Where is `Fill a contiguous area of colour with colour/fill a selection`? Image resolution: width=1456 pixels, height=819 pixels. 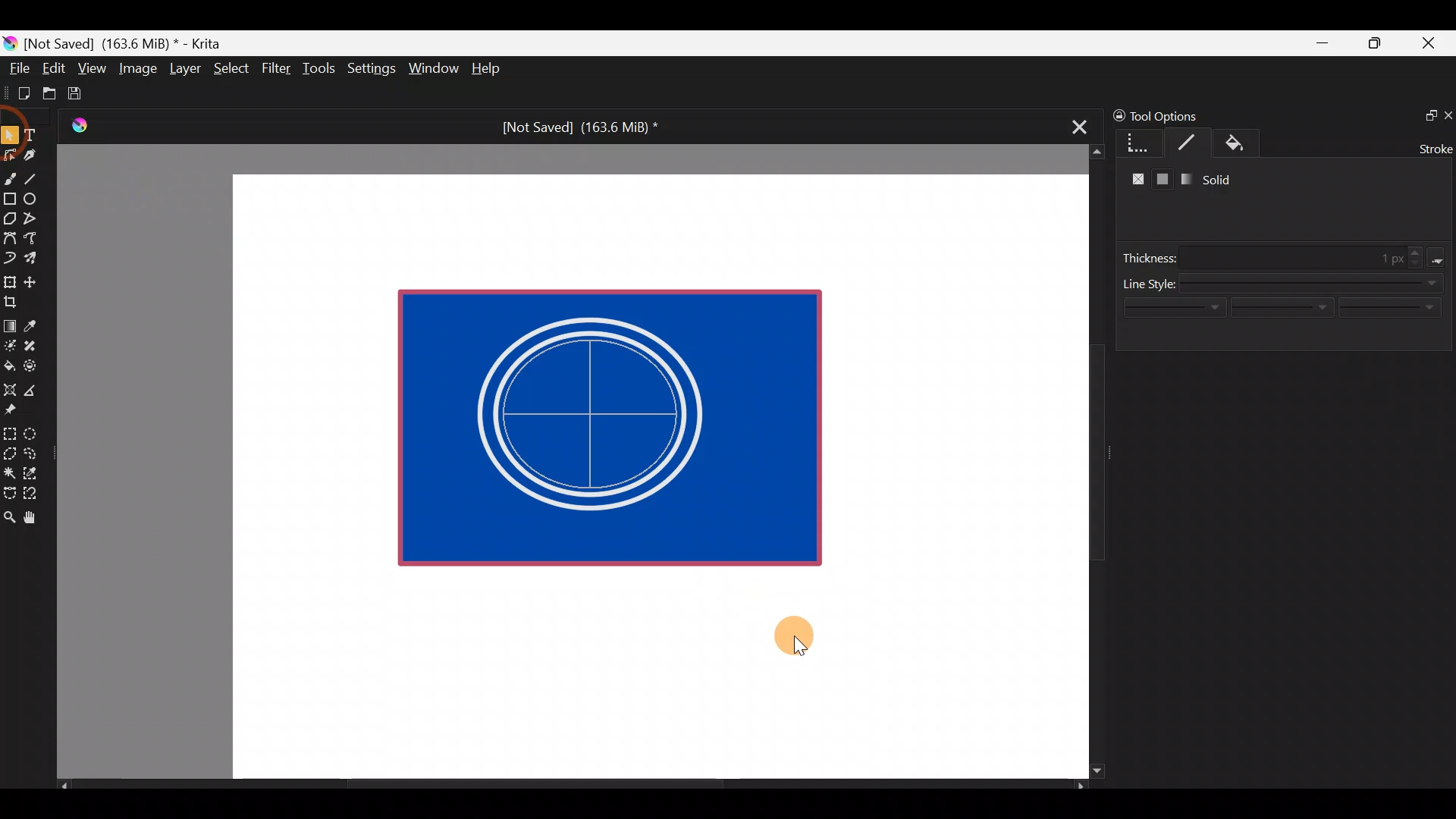
Fill a contiguous area of colour with colour/fill a selection is located at coordinates (9, 362).